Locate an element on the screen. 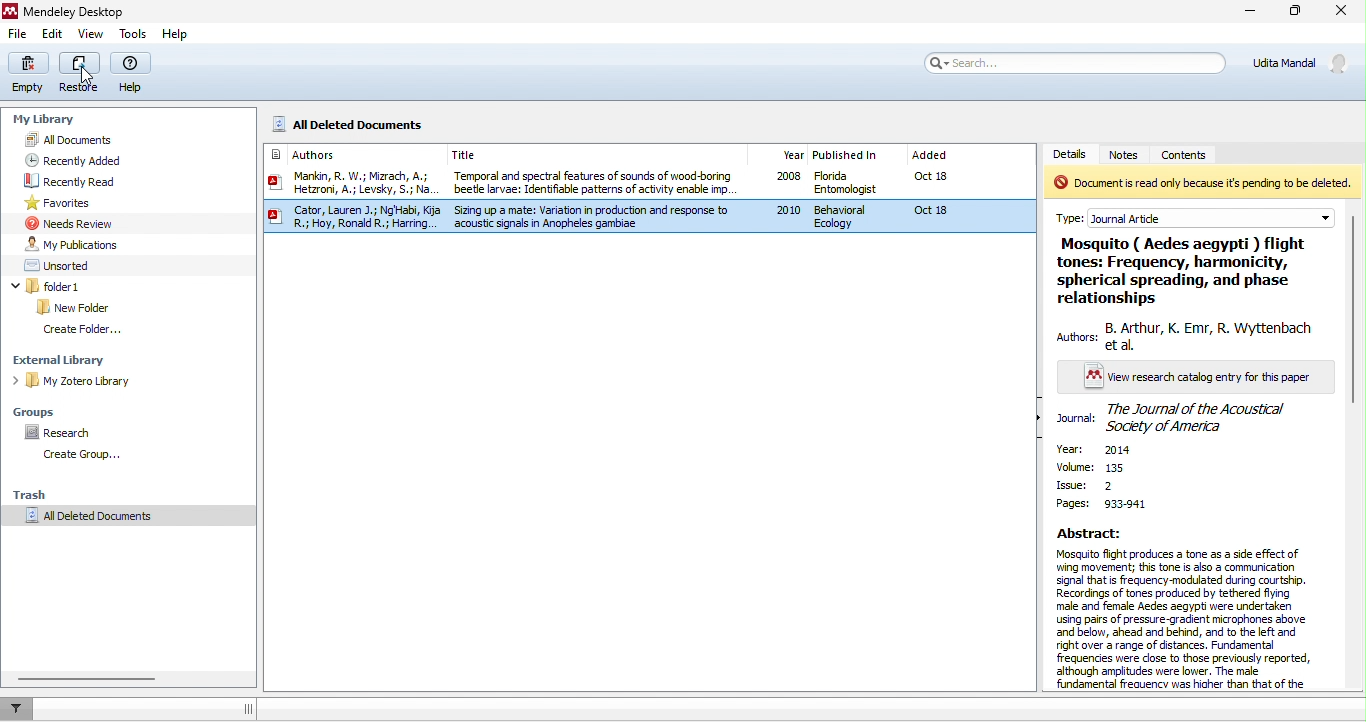 This screenshot has height=722, width=1366. all deleted documents is located at coordinates (122, 521).